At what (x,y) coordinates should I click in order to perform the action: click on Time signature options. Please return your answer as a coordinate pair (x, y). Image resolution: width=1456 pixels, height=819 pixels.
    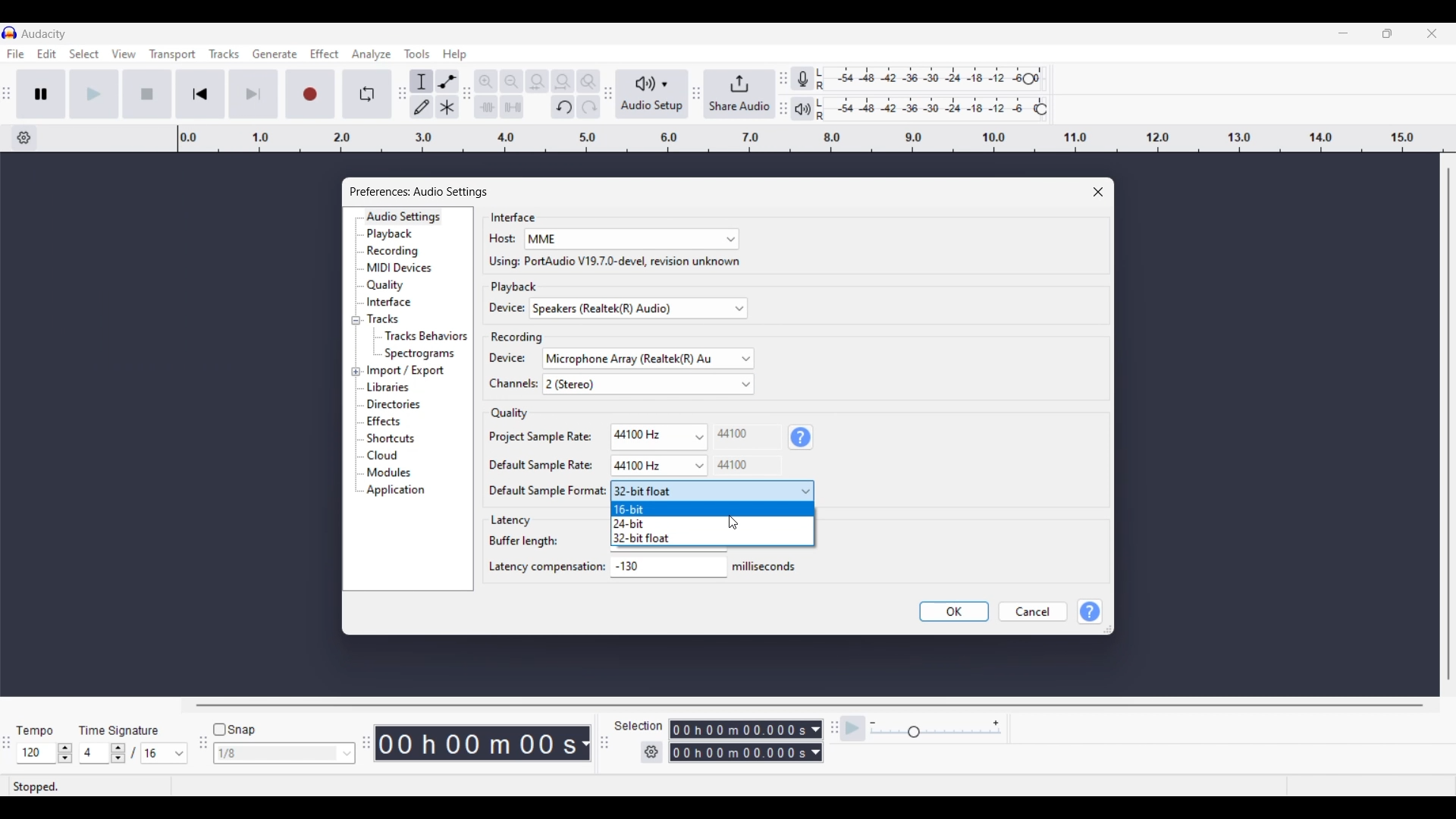
    Looking at the image, I should click on (180, 754).